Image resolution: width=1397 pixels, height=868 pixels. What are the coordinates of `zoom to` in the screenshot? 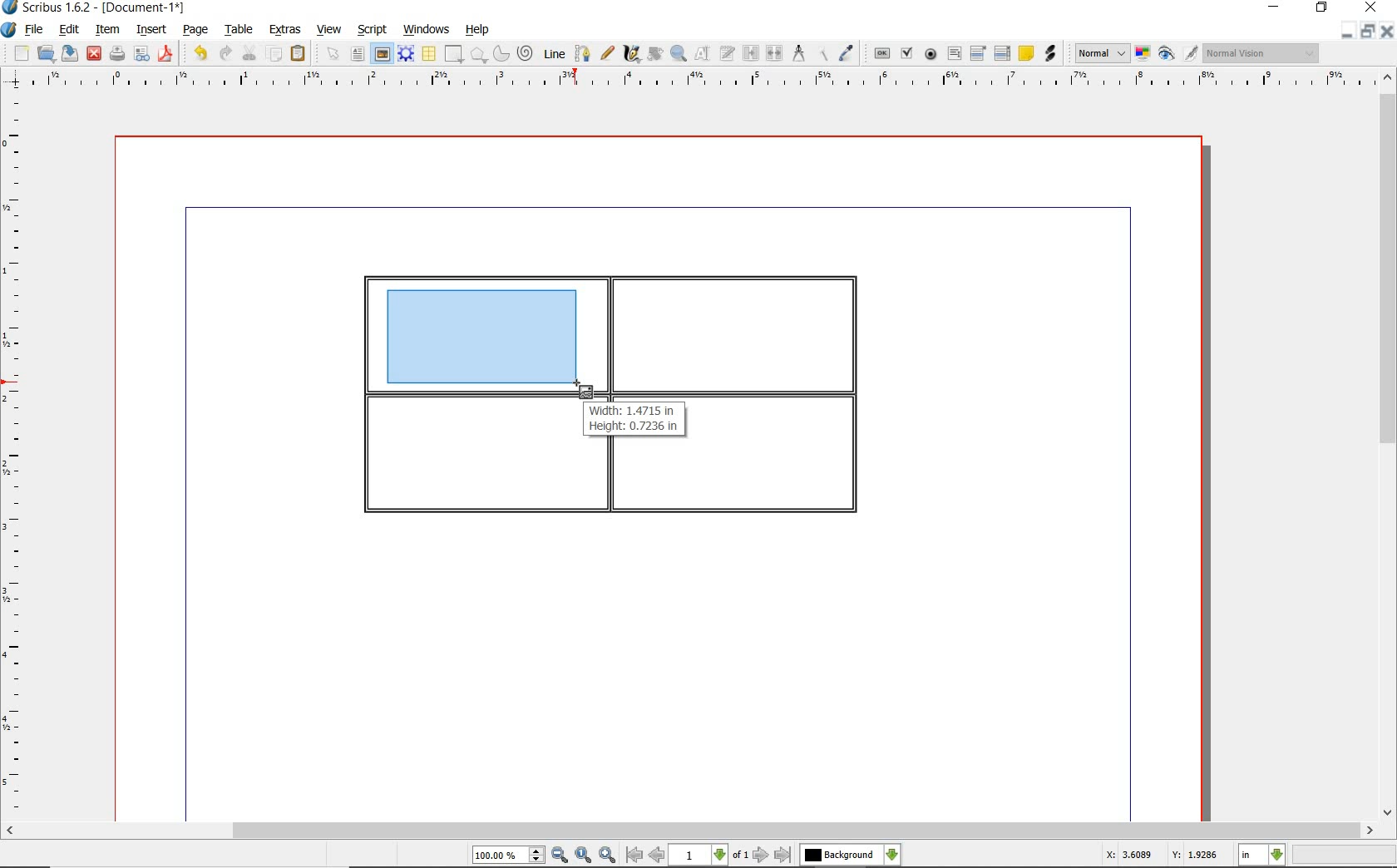 It's located at (583, 856).